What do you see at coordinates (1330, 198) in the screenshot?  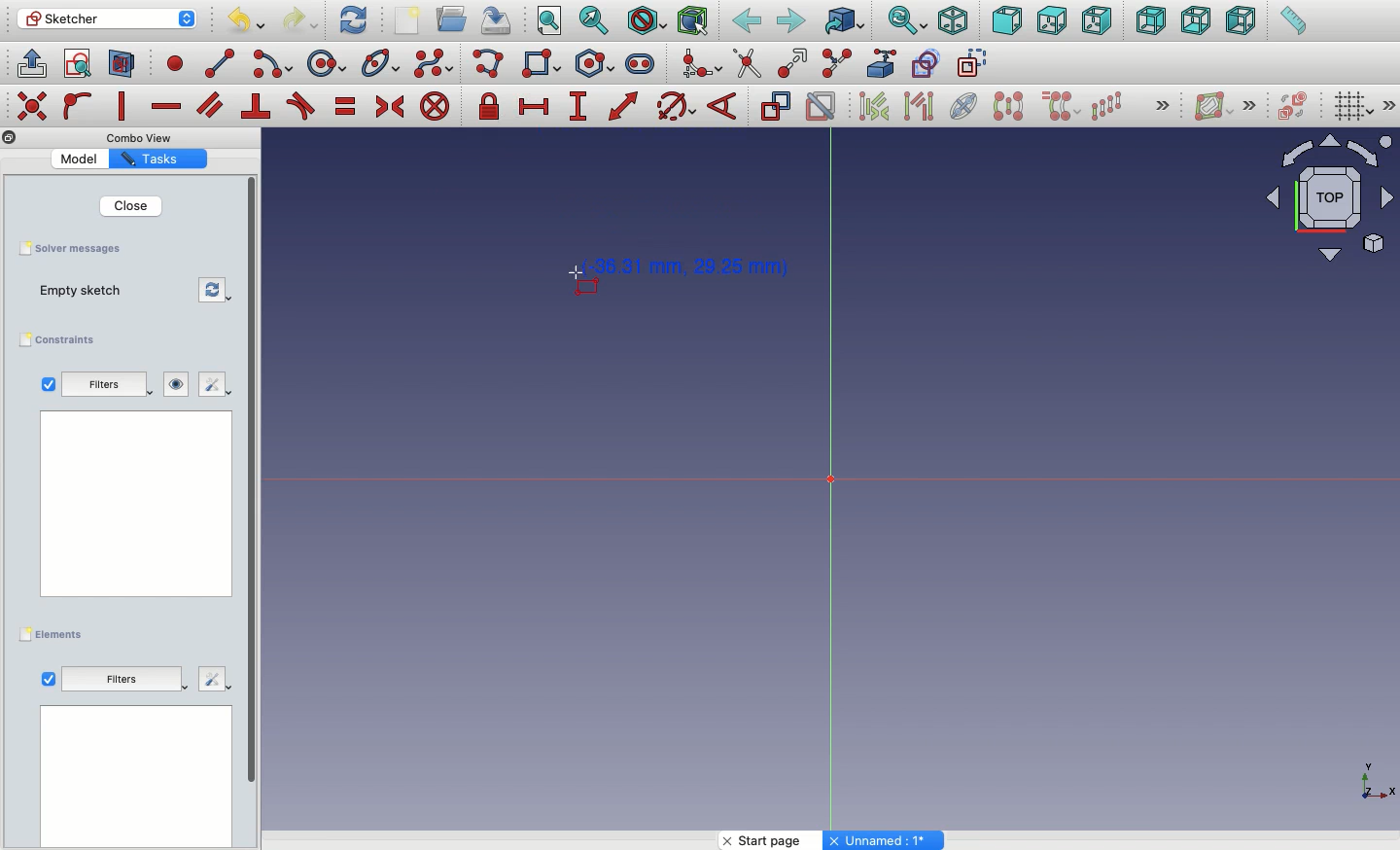 I see `Navigator` at bounding box center [1330, 198].